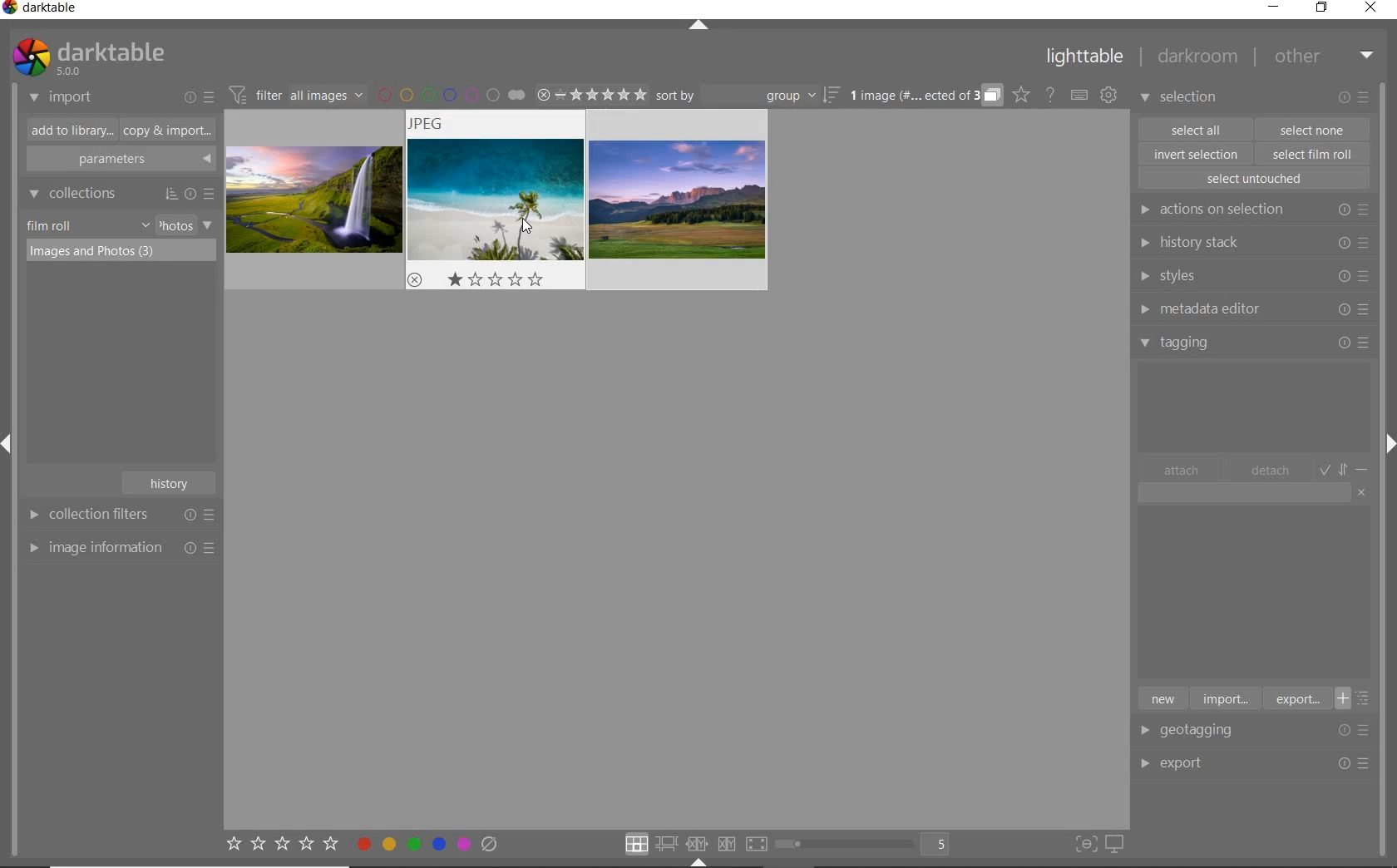 The width and height of the screenshot is (1397, 868). I want to click on range ratings of selected images, so click(591, 92).